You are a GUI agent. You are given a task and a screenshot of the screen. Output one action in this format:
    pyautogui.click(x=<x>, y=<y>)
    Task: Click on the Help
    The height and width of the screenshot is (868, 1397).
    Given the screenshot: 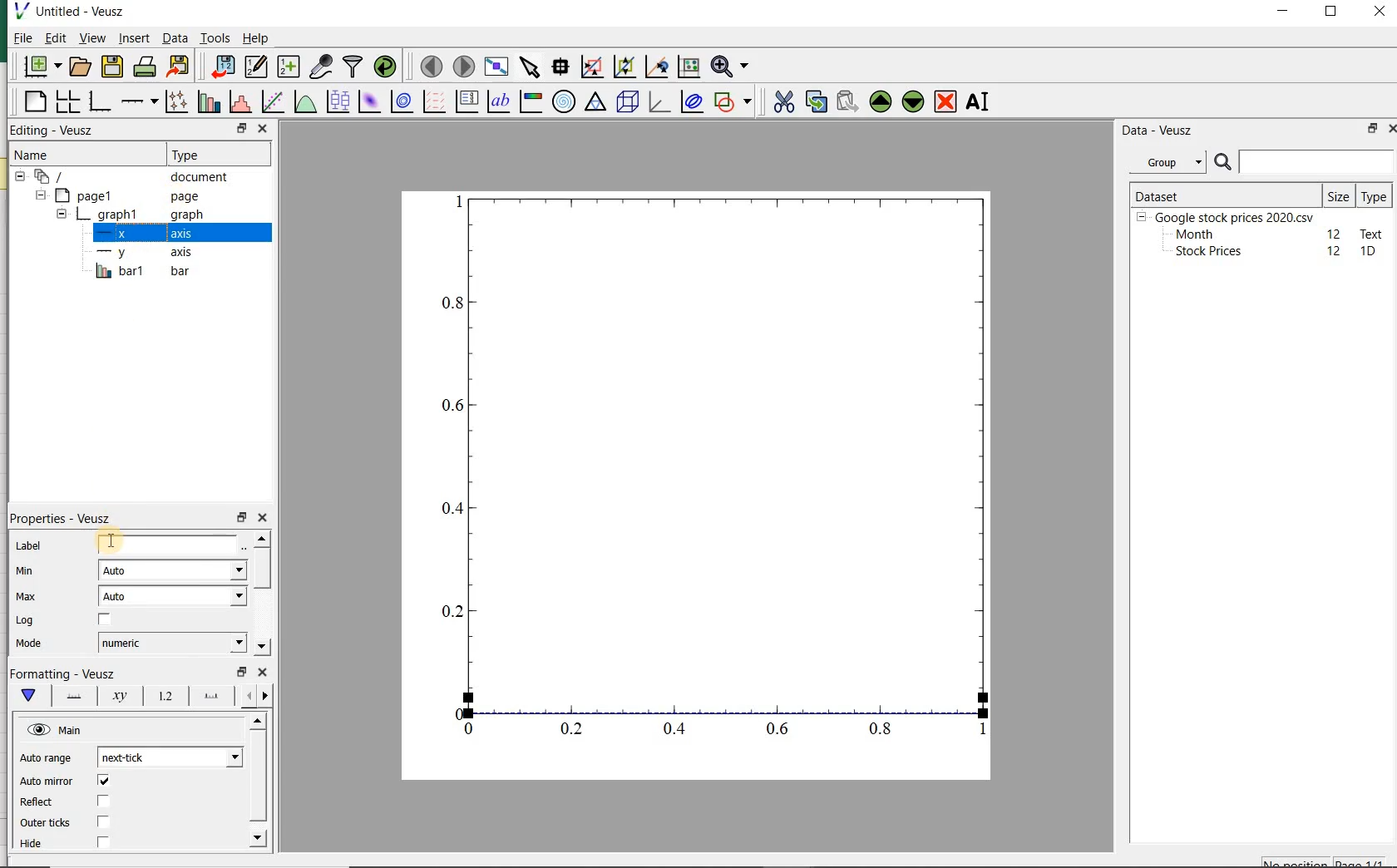 What is the action you would take?
    pyautogui.click(x=258, y=40)
    